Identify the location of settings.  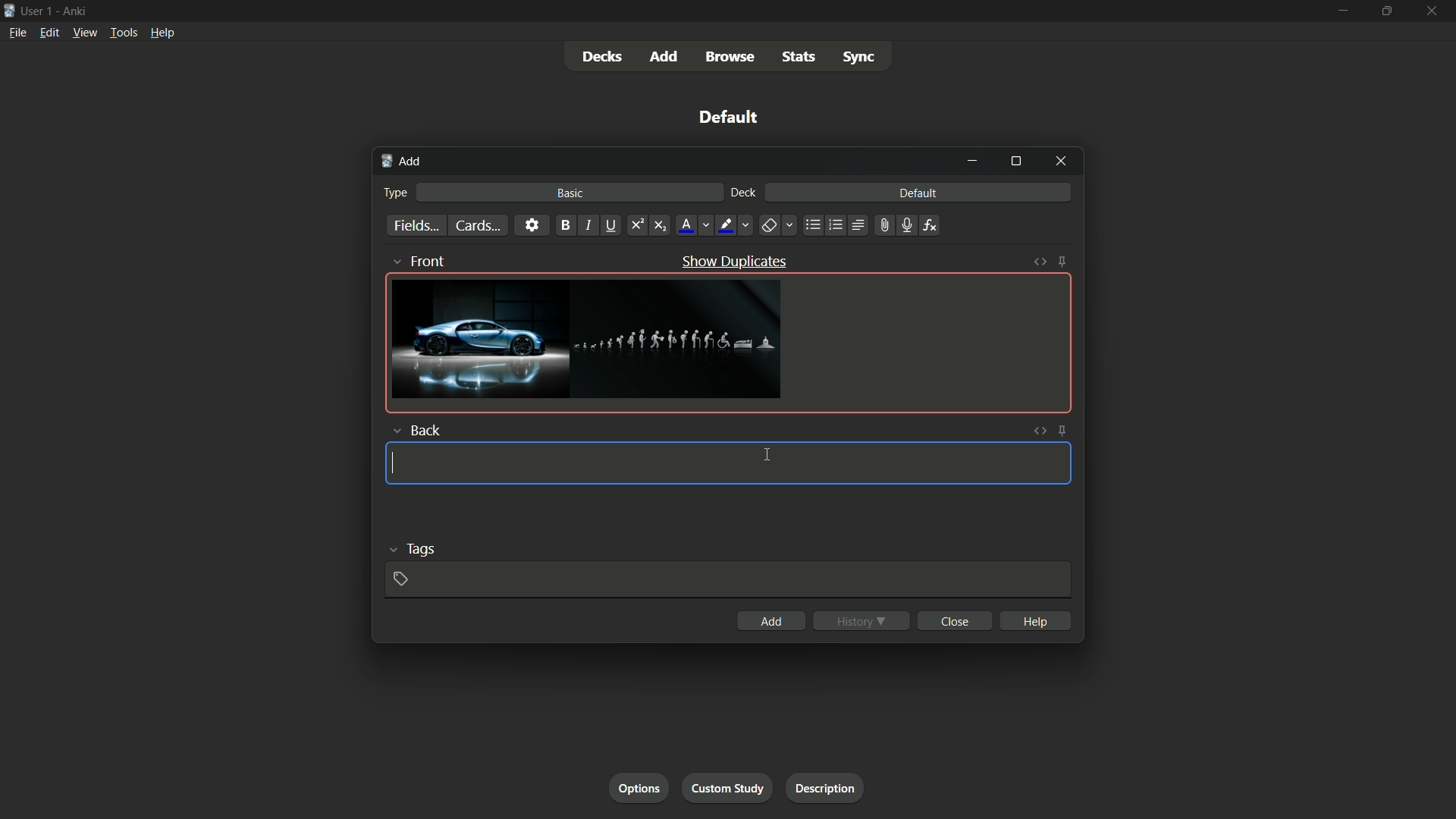
(531, 224).